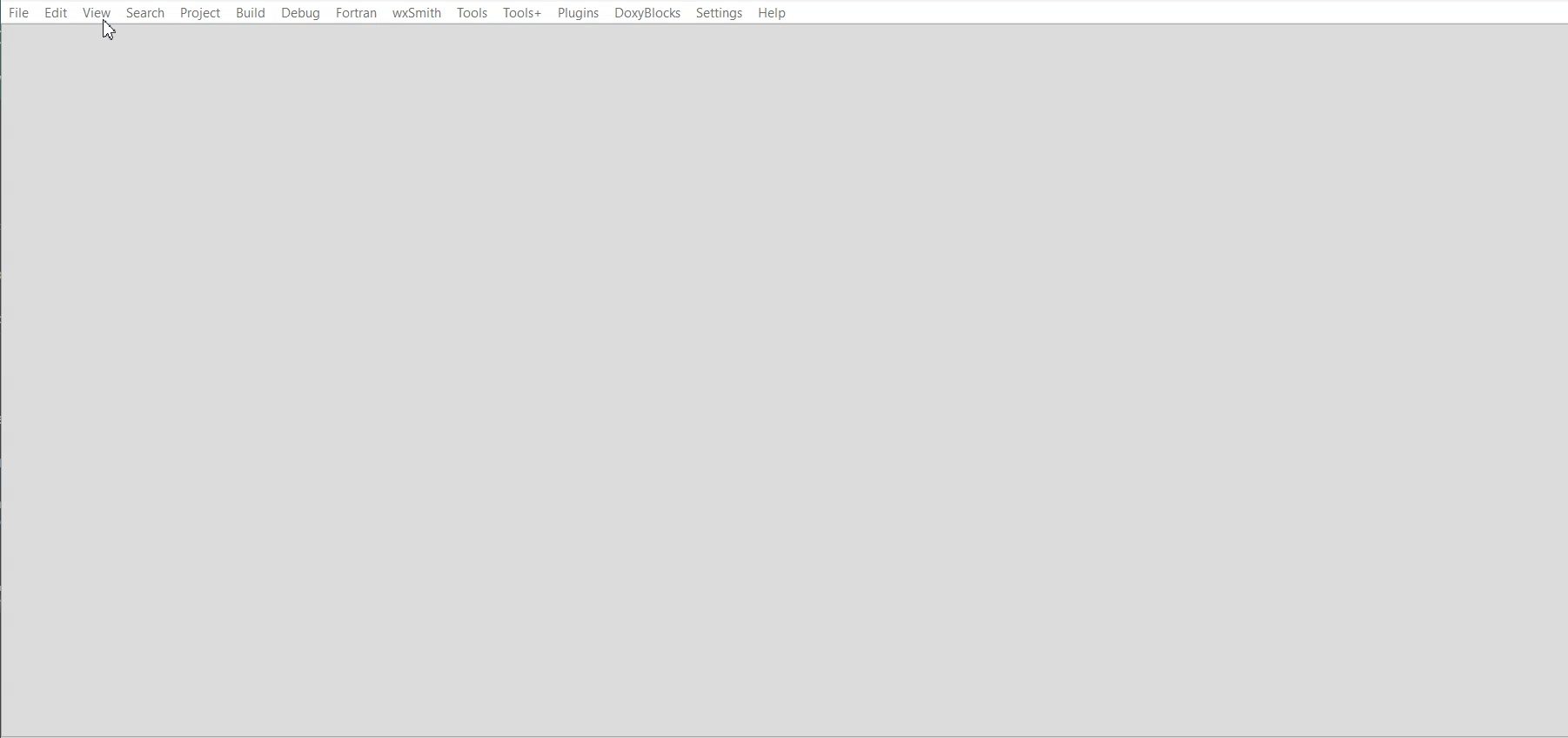 The image size is (1568, 738). Describe the element at coordinates (770, 14) in the screenshot. I see `Help` at that location.